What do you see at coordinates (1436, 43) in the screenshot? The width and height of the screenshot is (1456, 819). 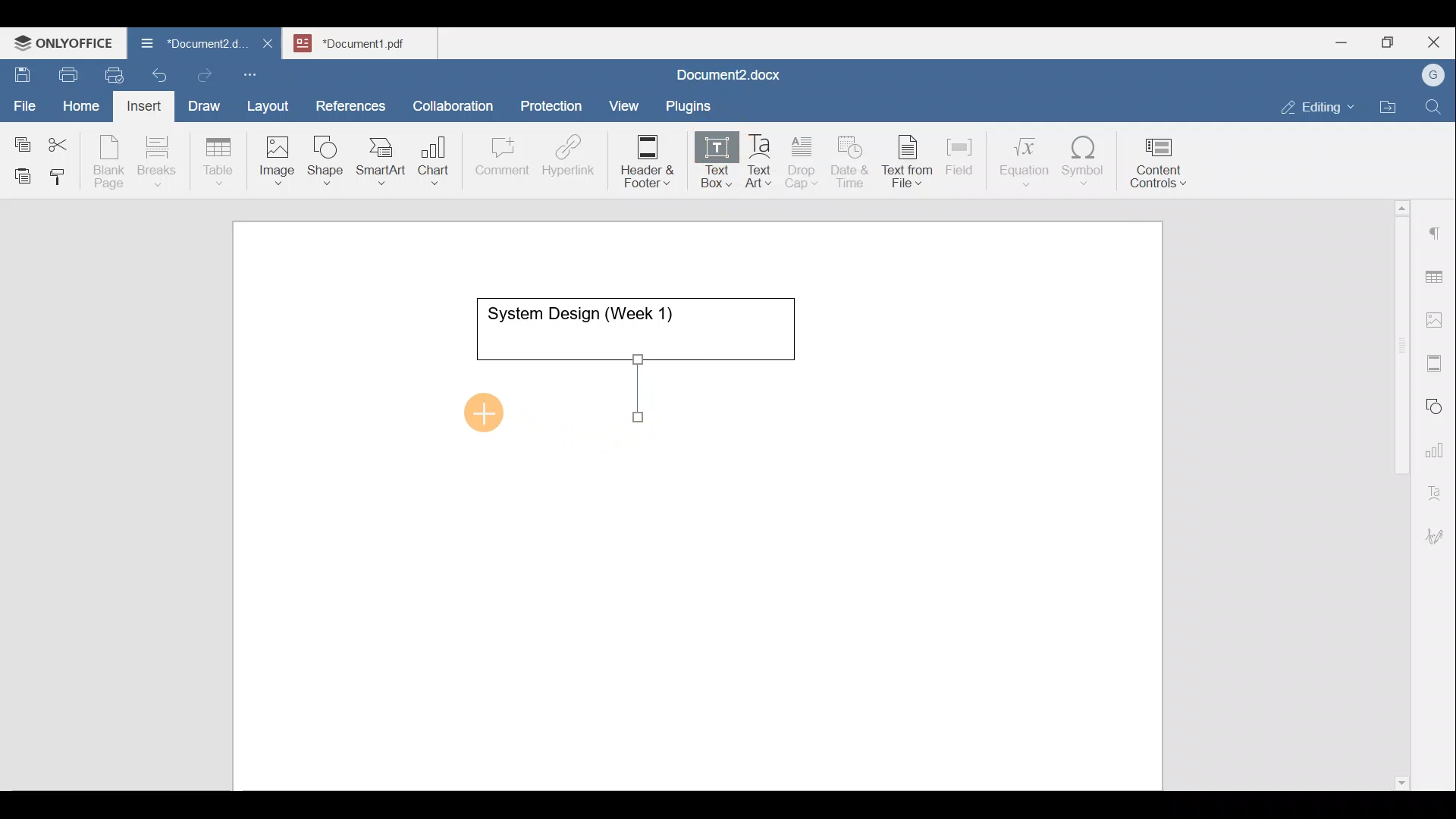 I see `Close` at bounding box center [1436, 43].